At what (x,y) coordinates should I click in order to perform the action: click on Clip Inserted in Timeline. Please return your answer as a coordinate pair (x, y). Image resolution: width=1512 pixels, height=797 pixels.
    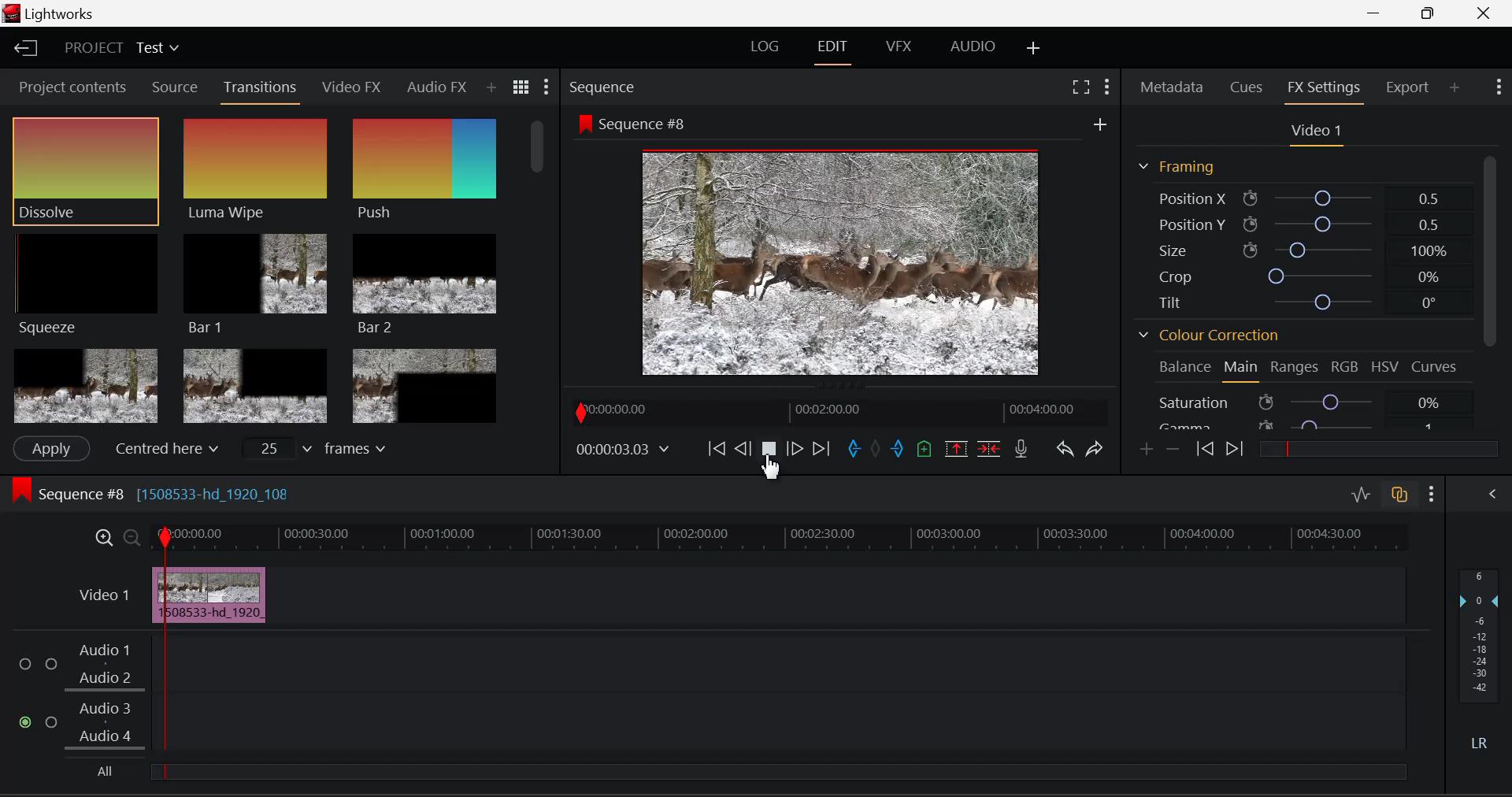
    Looking at the image, I should click on (221, 595).